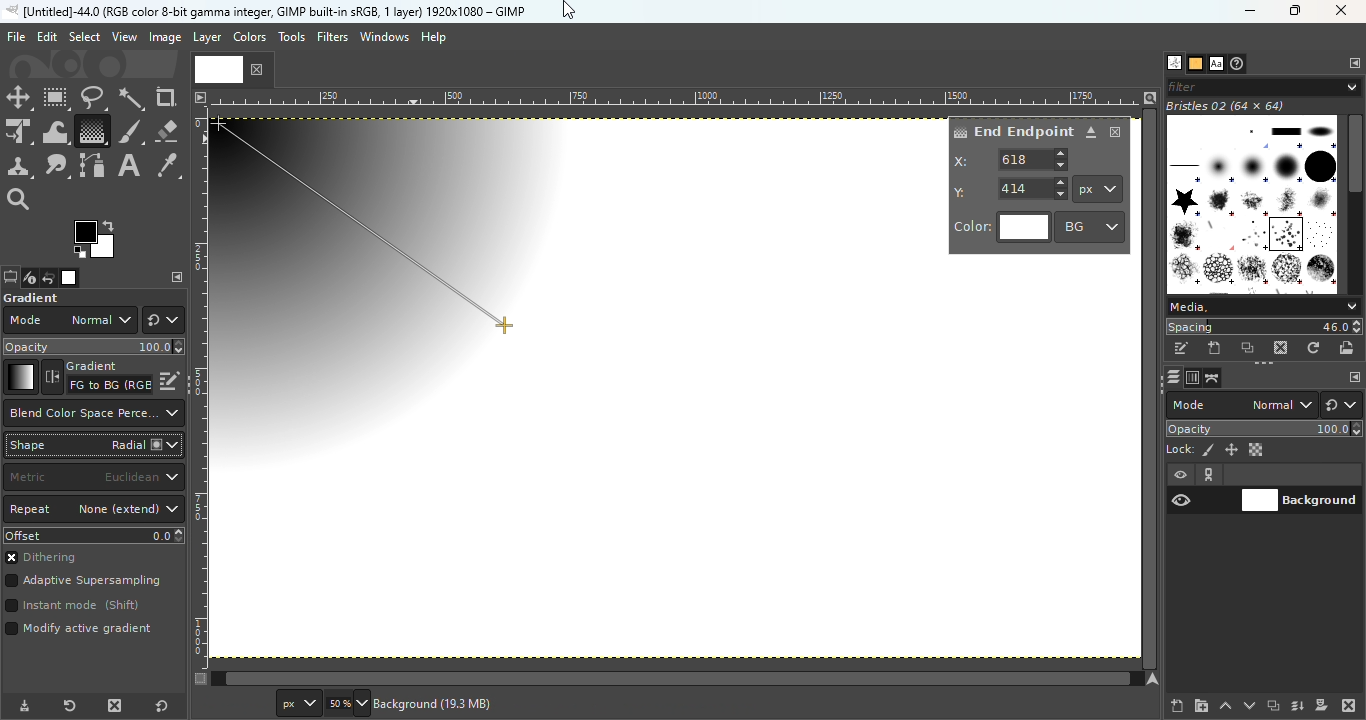  I want to click on Horizontal scroll bar, so click(1152, 389).